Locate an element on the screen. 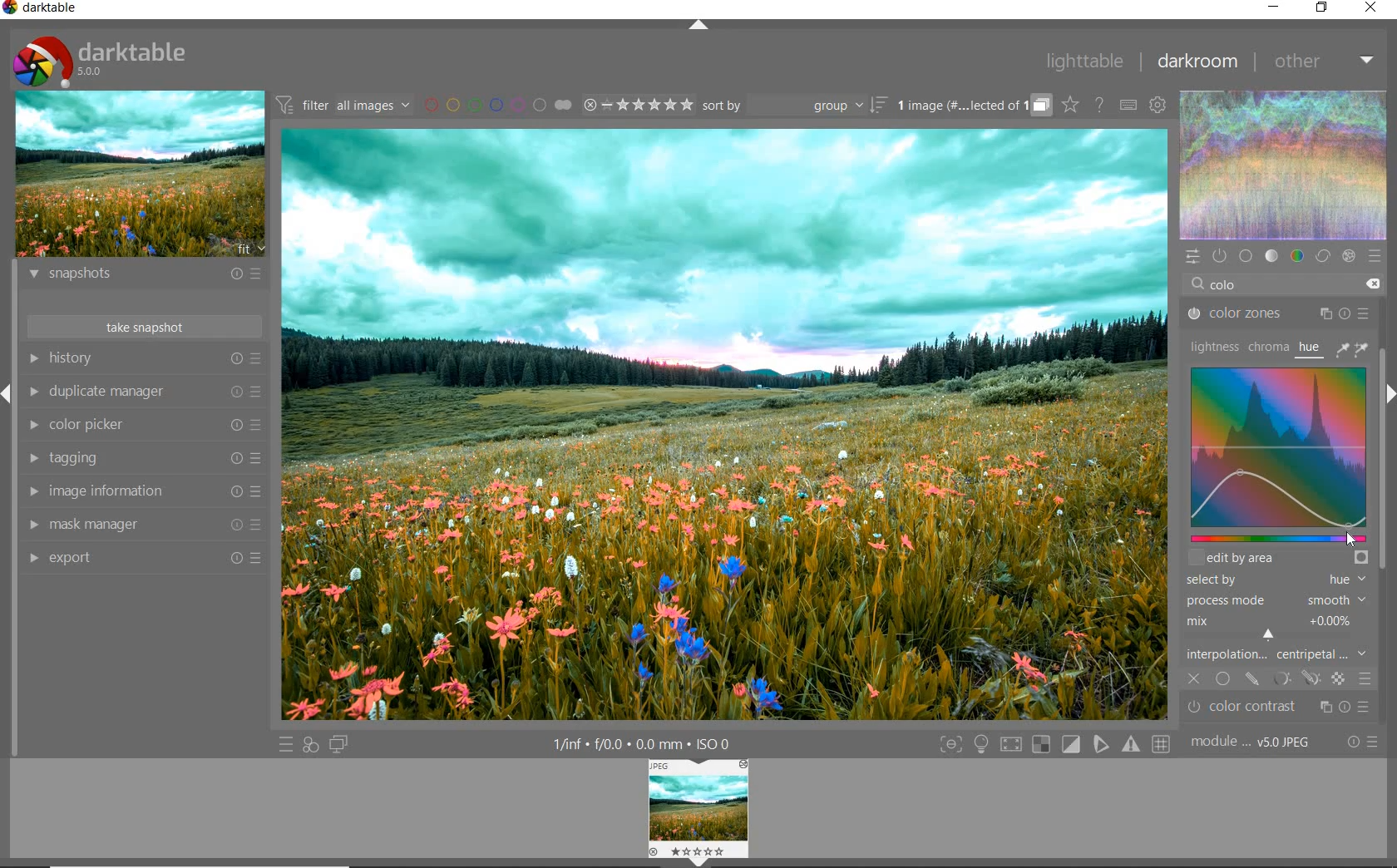 The height and width of the screenshot is (868, 1397). Expand / Collapse is located at coordinates (8, 392).